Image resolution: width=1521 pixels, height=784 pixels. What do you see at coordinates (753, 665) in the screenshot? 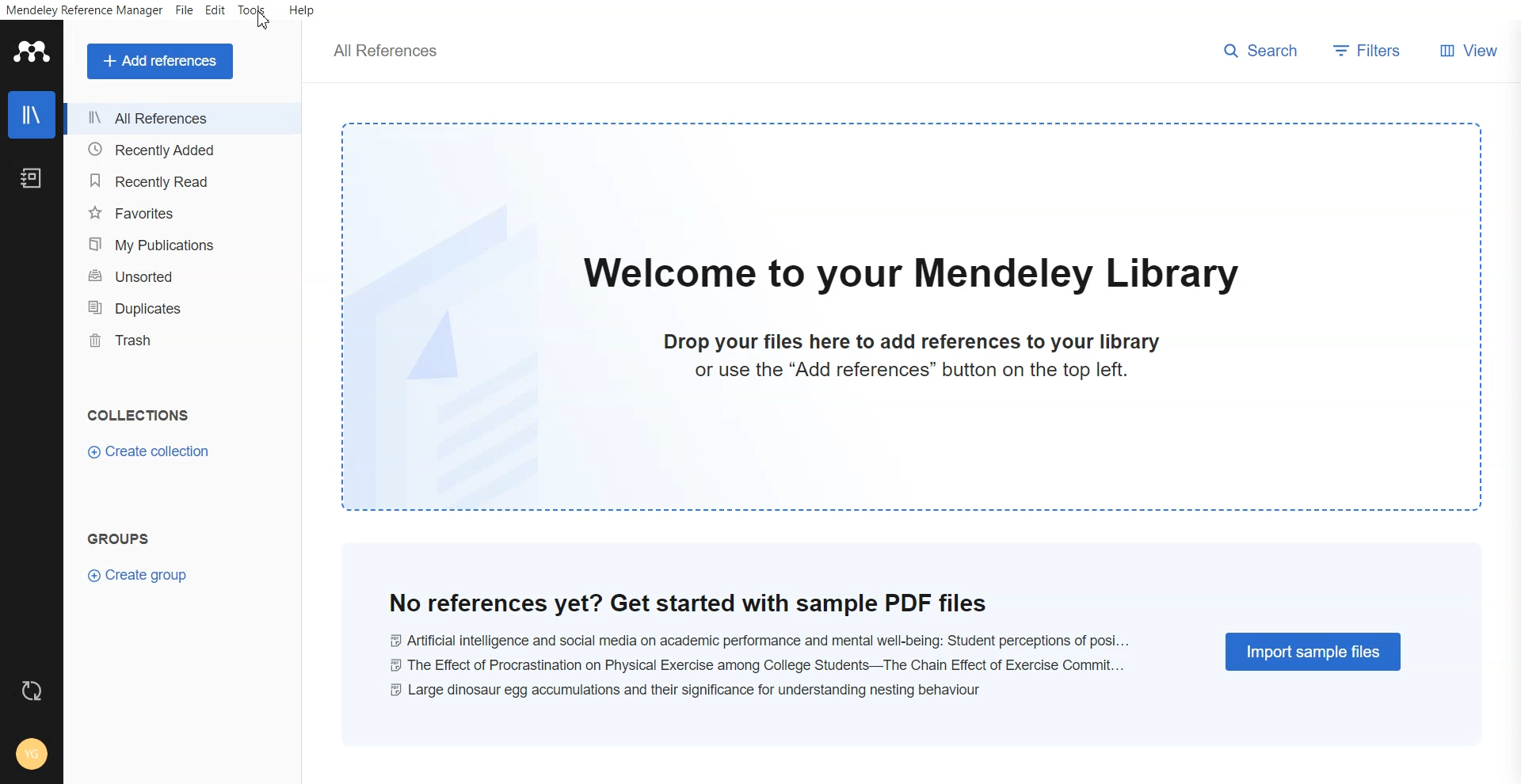
I see `the effect of procrastination on physical exercise among college students-- the chain effect of excercise commit...` at bounding box center [753, 665].